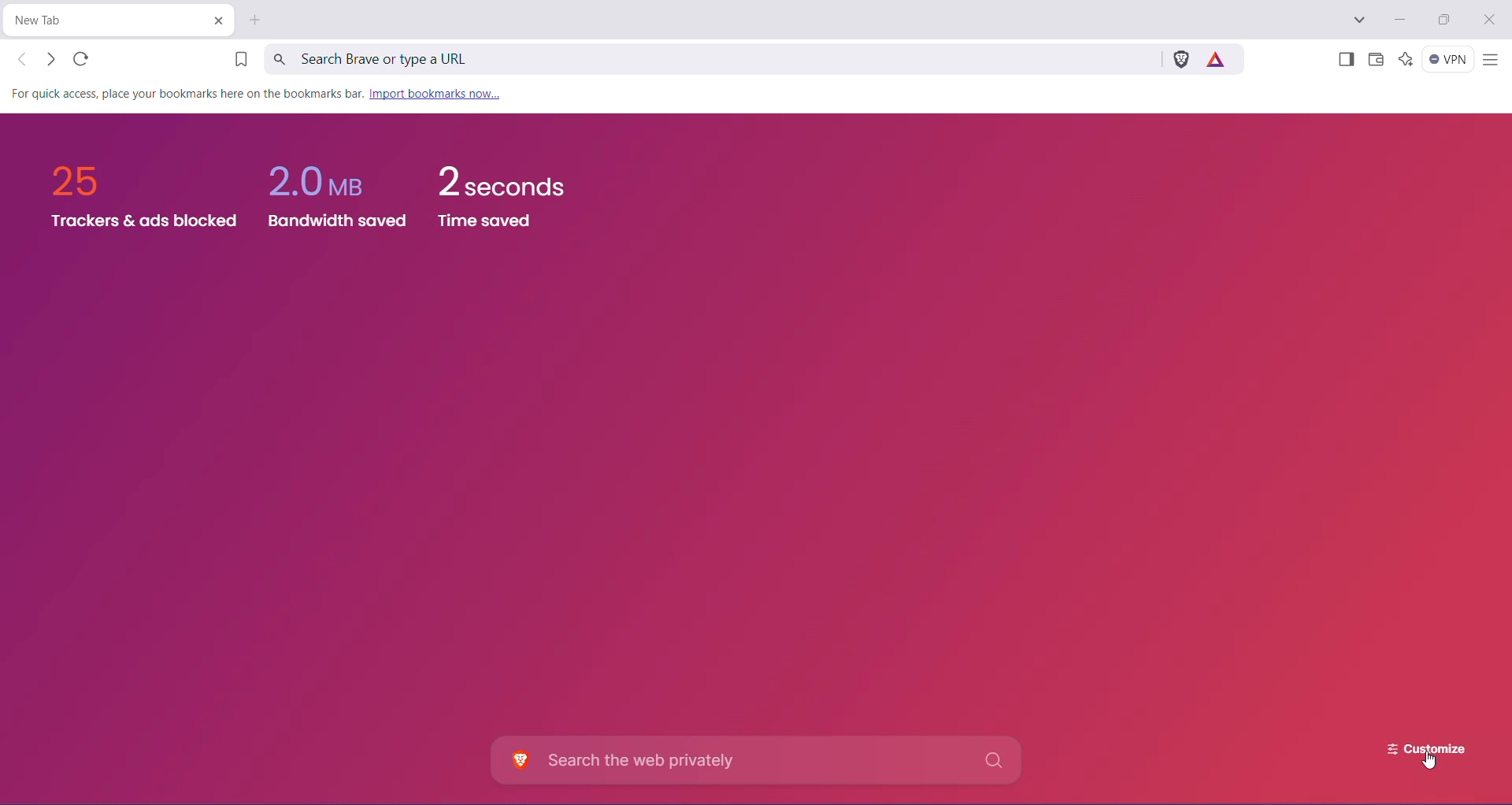 Image resolution: width=1512 pixels, height=805 pixels. I want to click on Search Tabs, so click(1360, 20).